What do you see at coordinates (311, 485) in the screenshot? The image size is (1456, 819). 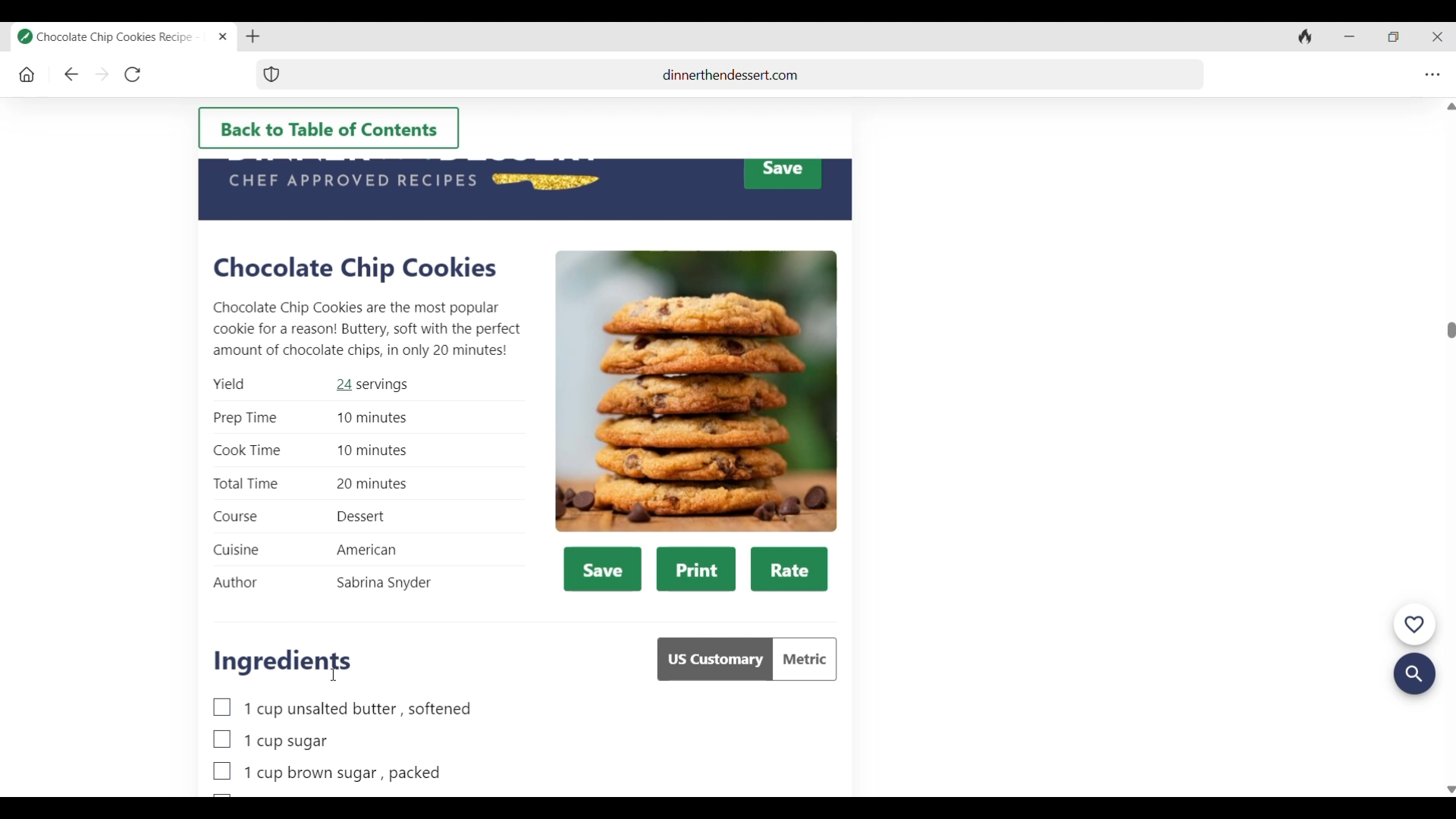 I see `Total Time 20 minutes` at bounding box center [311, 485].